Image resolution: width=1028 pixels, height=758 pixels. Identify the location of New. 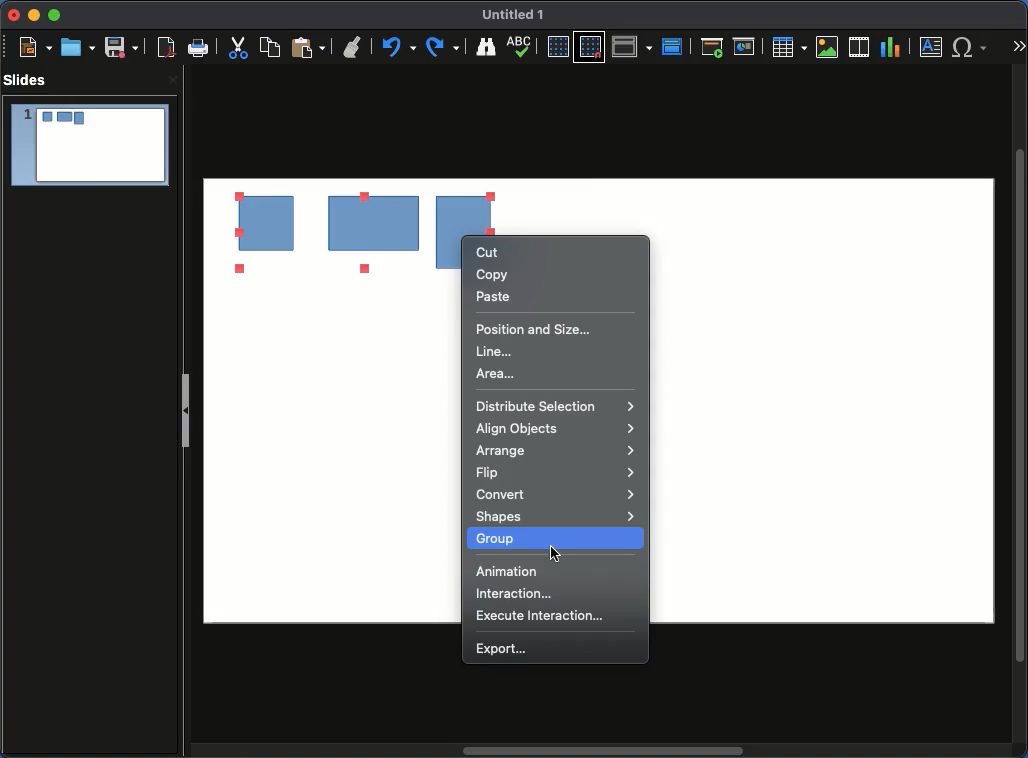
(35, 47).